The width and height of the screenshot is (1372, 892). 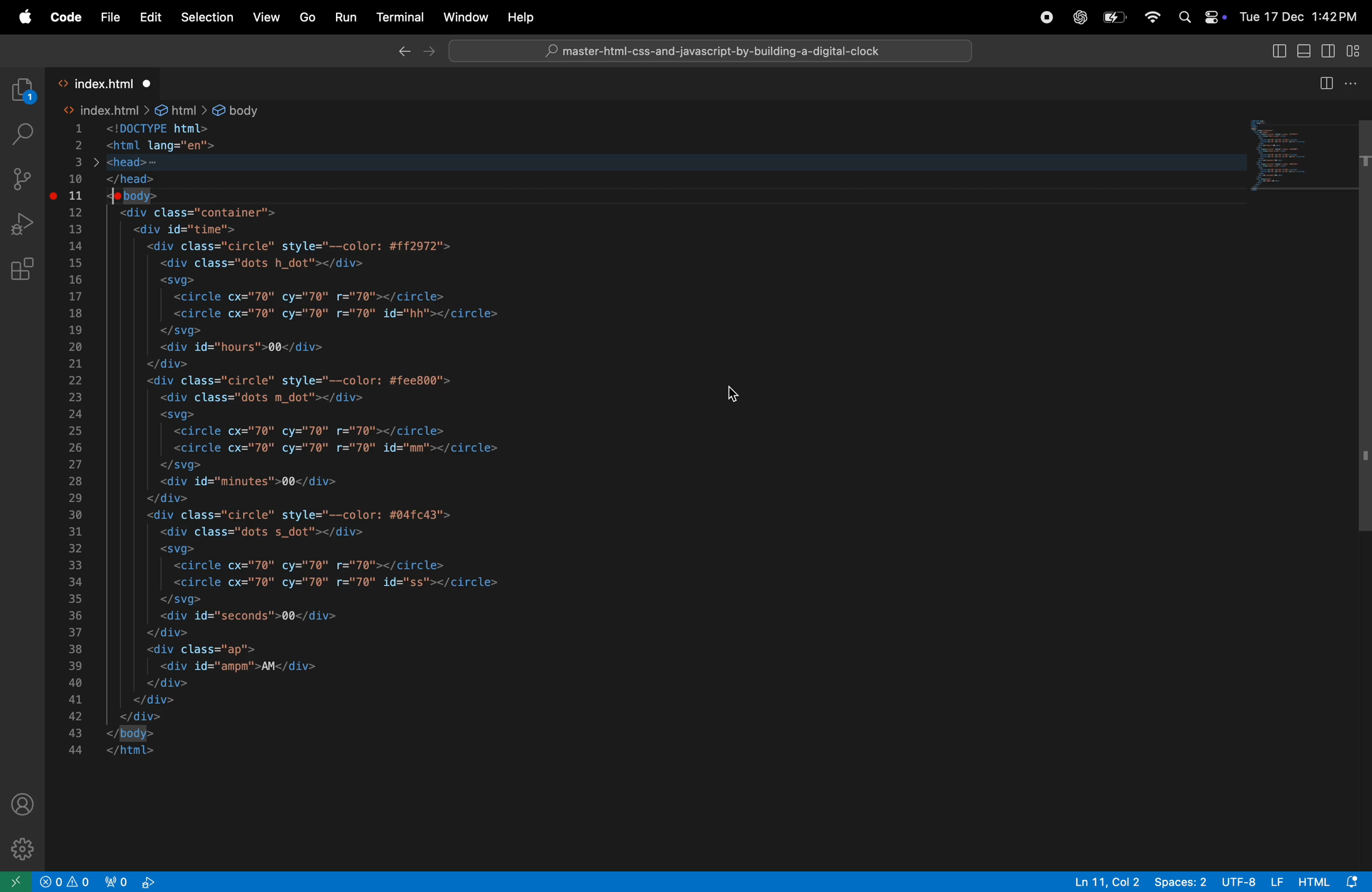 I want to click on break point, so click(x=55, y=194).